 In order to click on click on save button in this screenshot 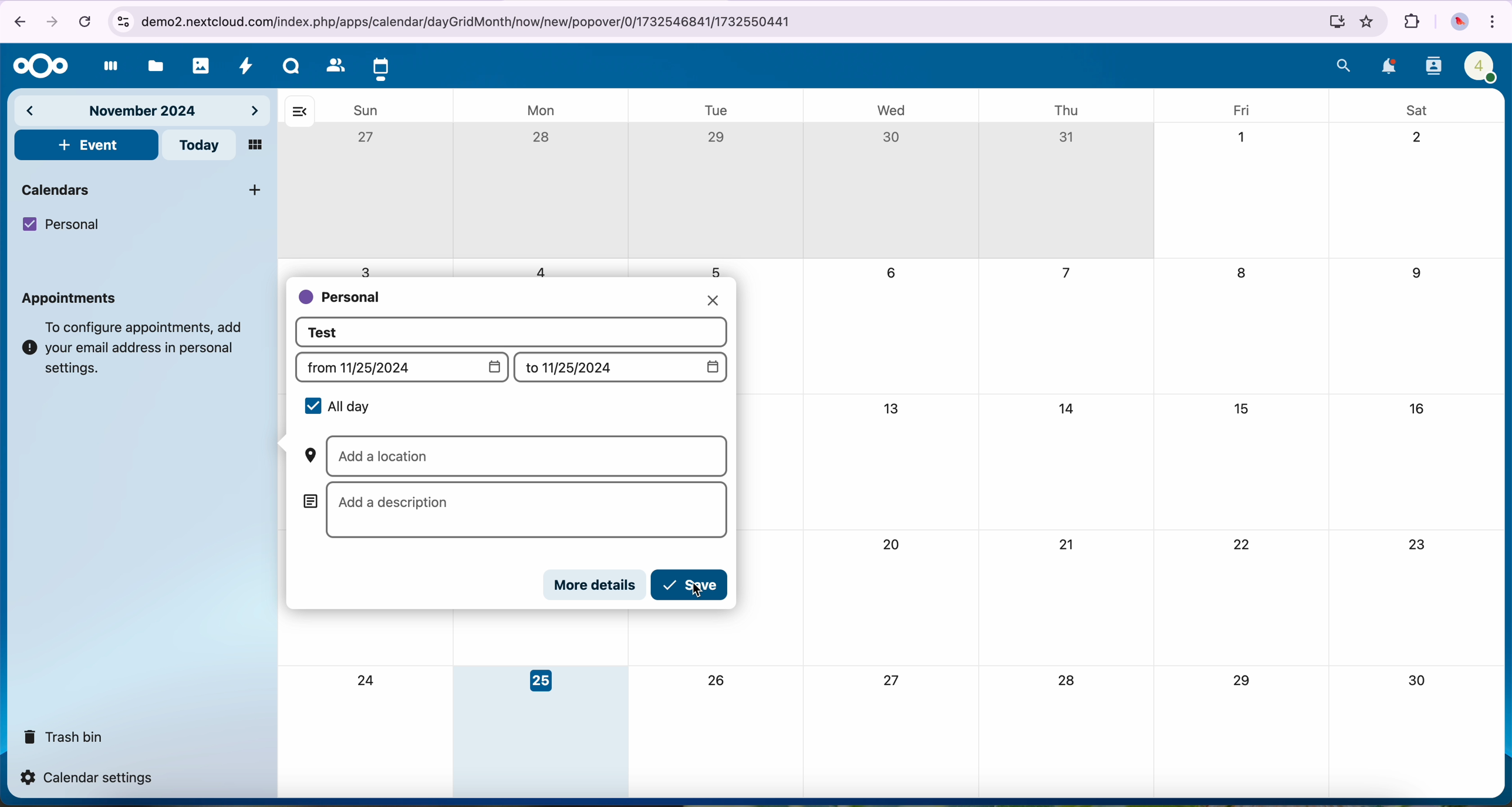, I will do `click(690, 585)`.